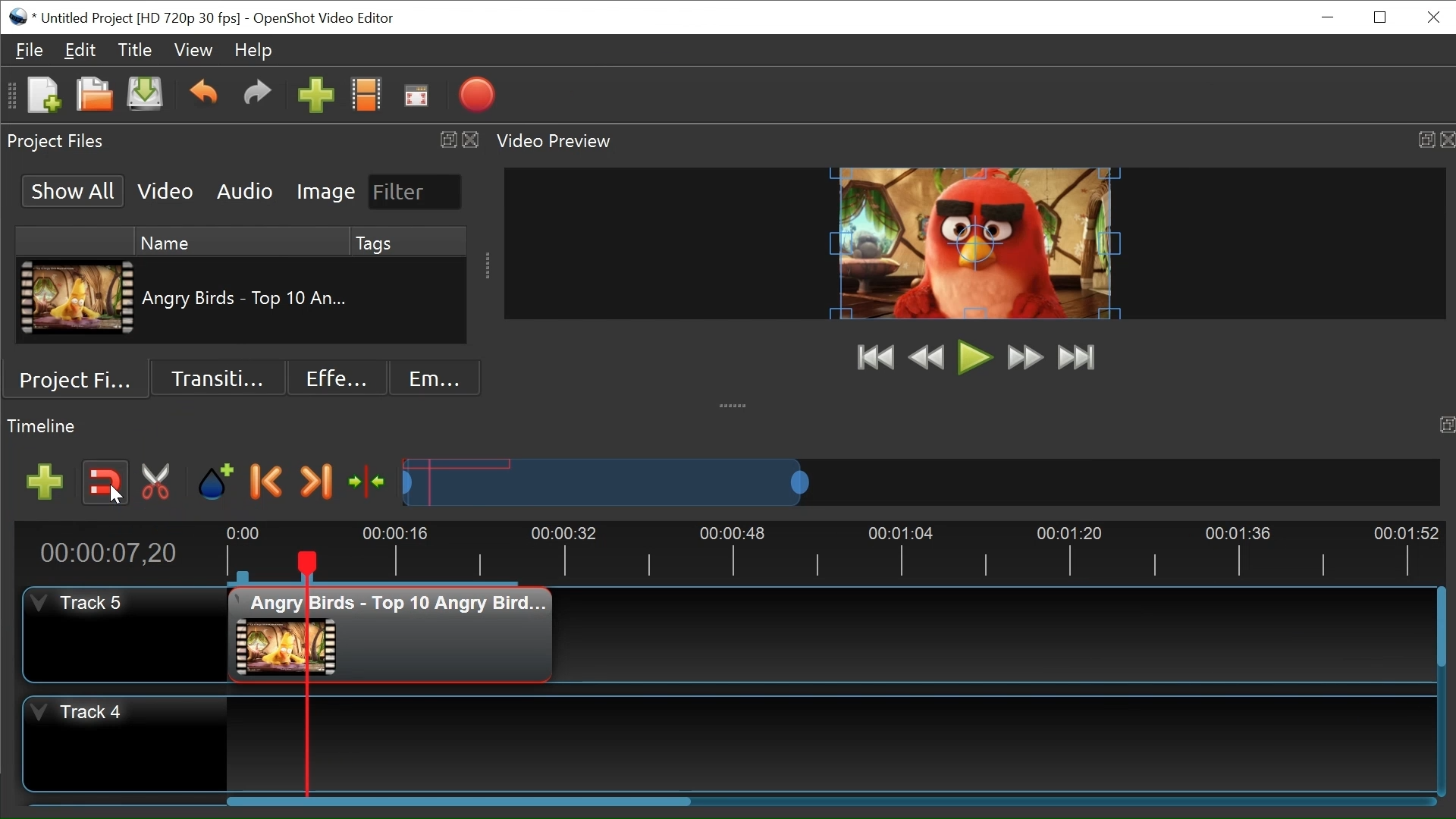 Image resolution: width=1456 pixels, height=819 pixels. I want to click on Name, so click(242, 240).